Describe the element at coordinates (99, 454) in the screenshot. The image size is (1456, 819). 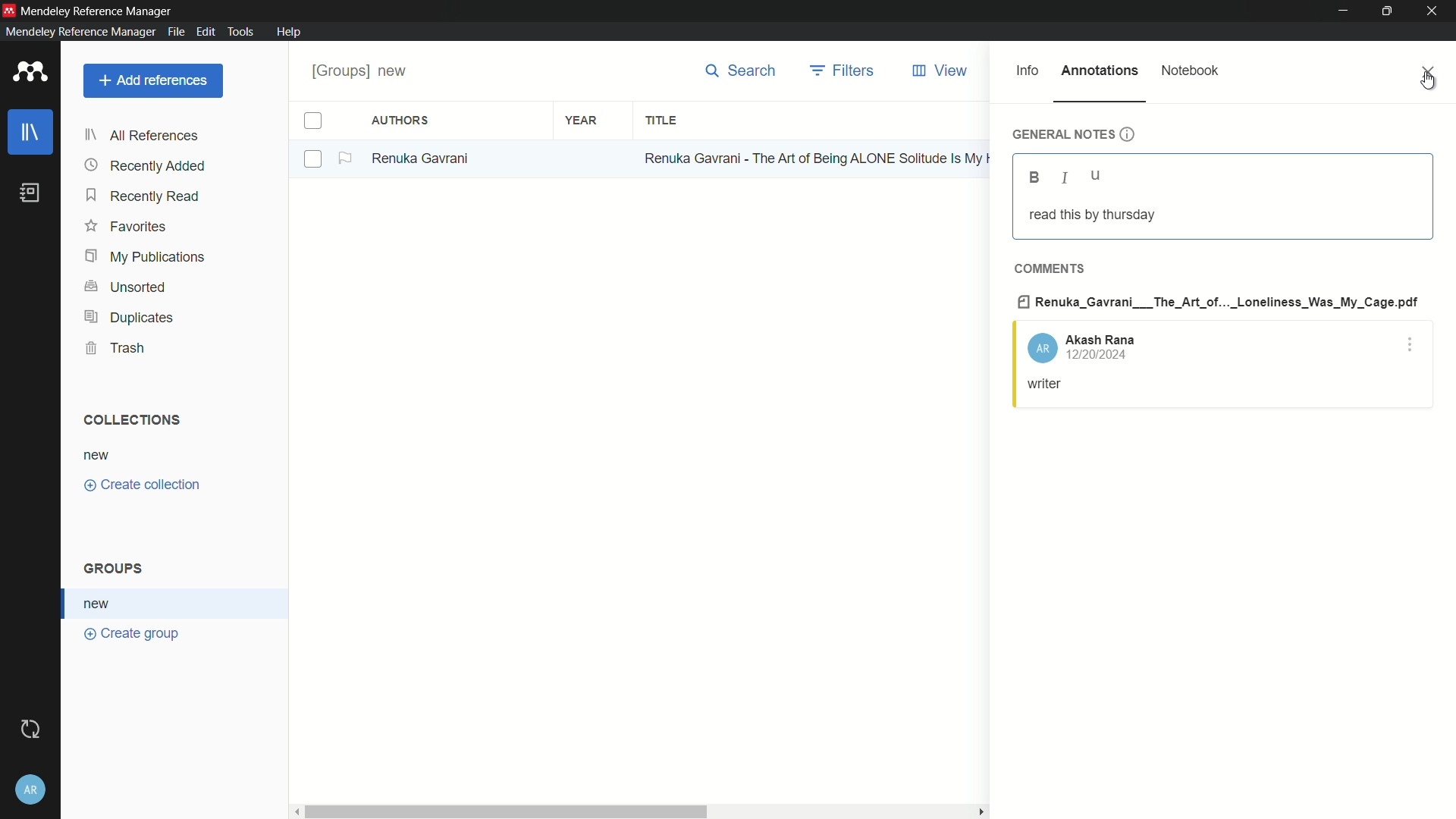
I see `new` at that location.